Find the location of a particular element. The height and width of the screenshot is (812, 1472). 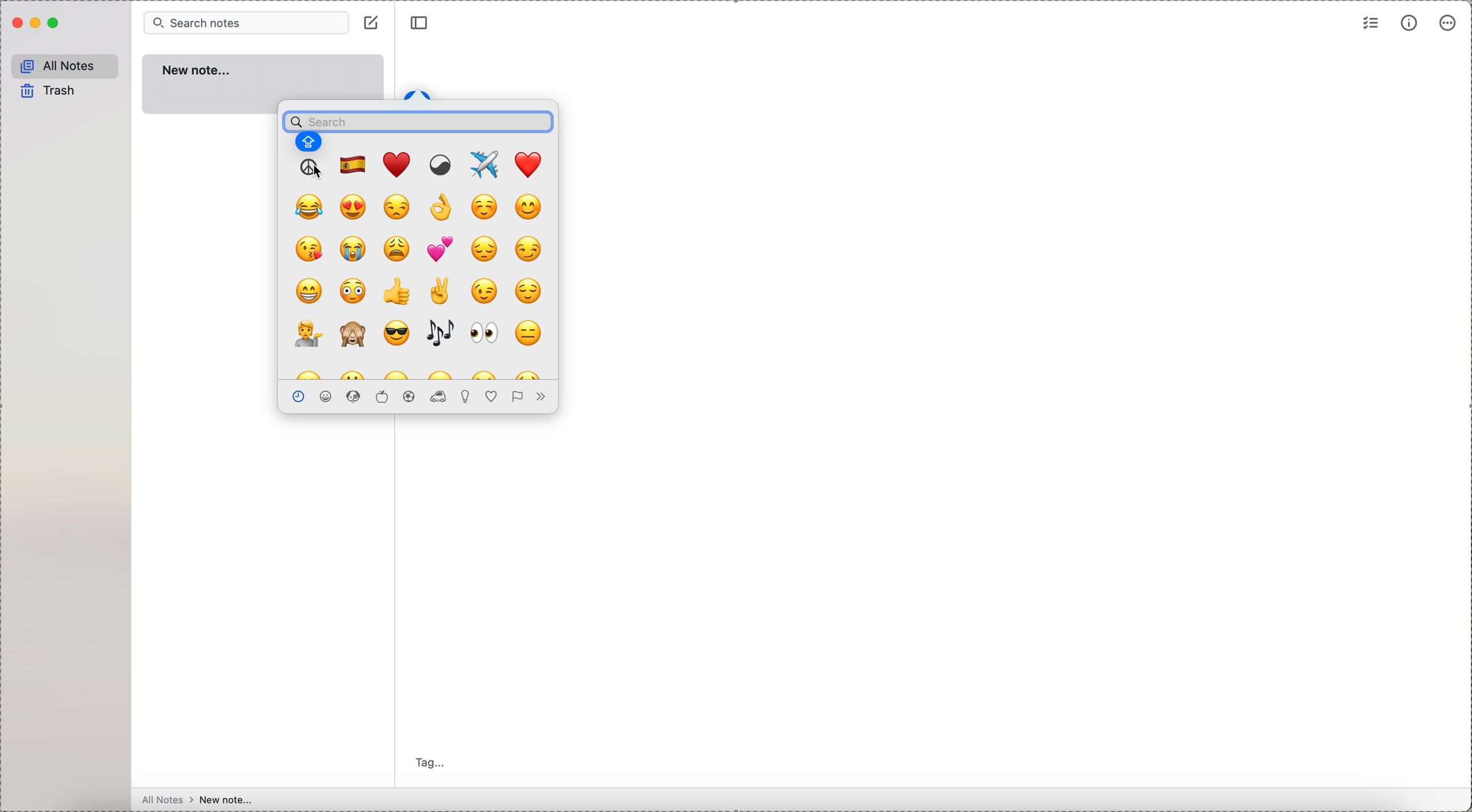

create note is located at coordinates (373, 24).